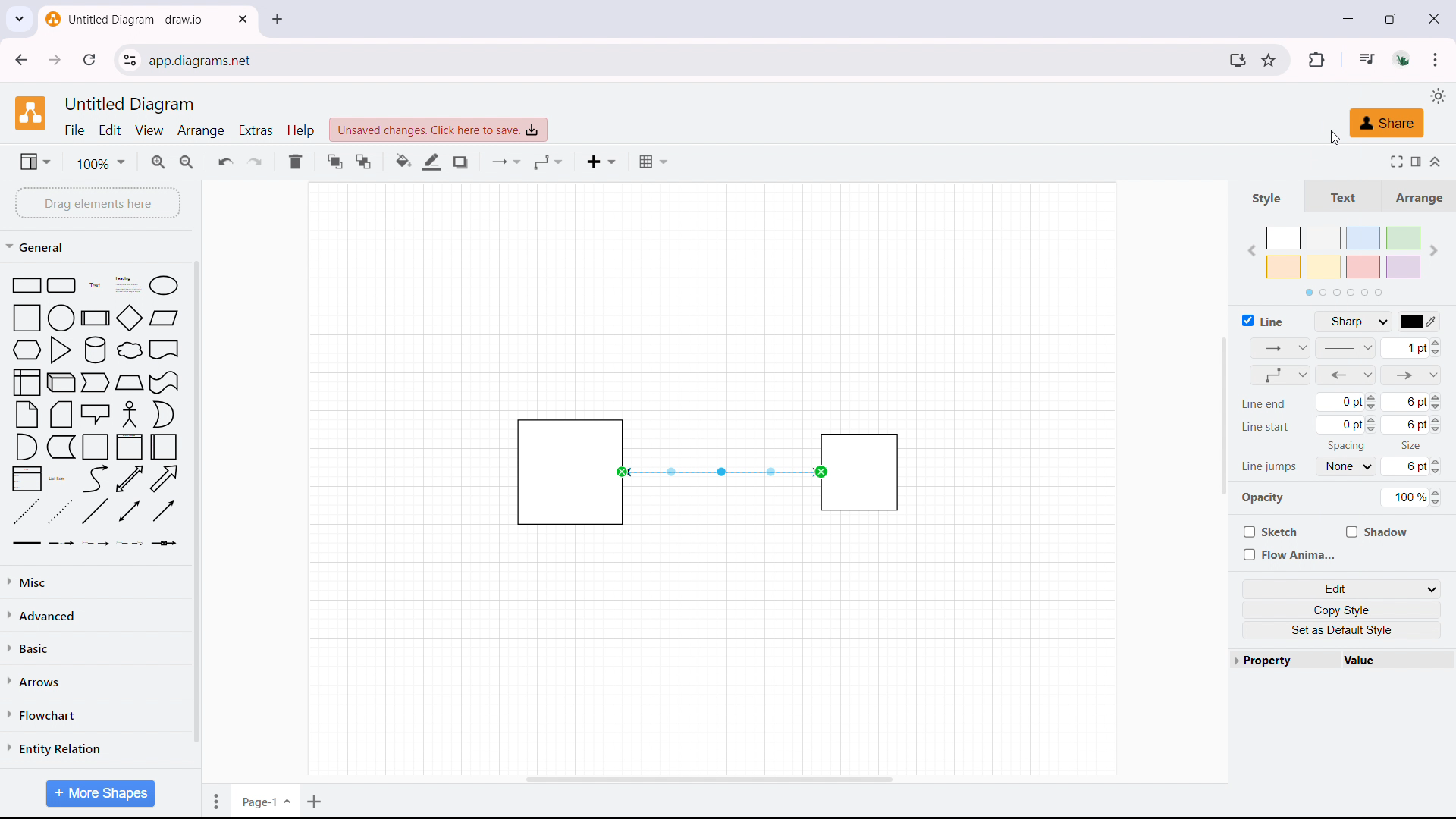  Describe the element at coordinates (1381, 425) in the screenshot. I see `line start size` at that location.